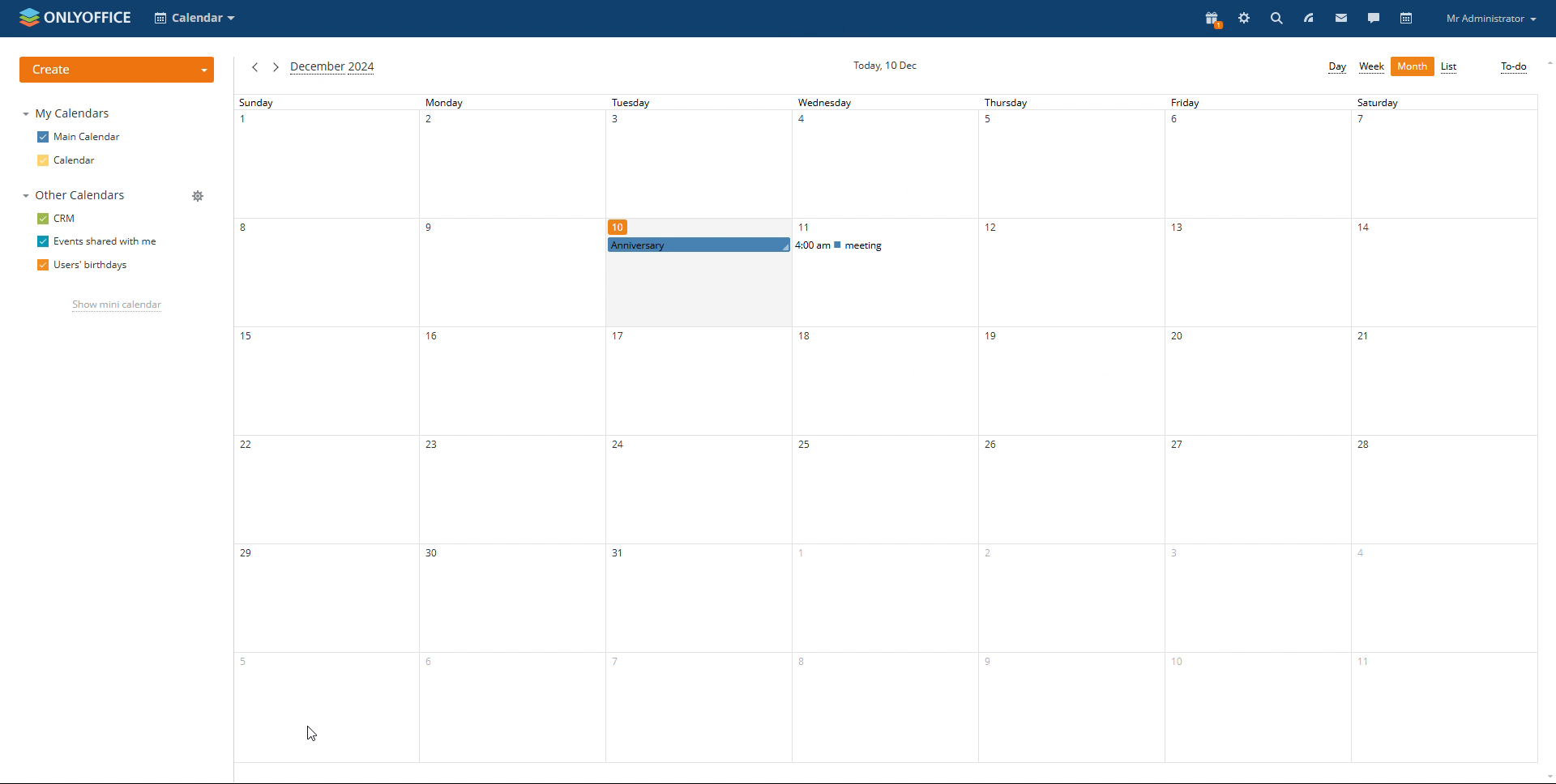  Describe the element at coordinates (1337, 67) in the screenshot. I see `day view` at that location.